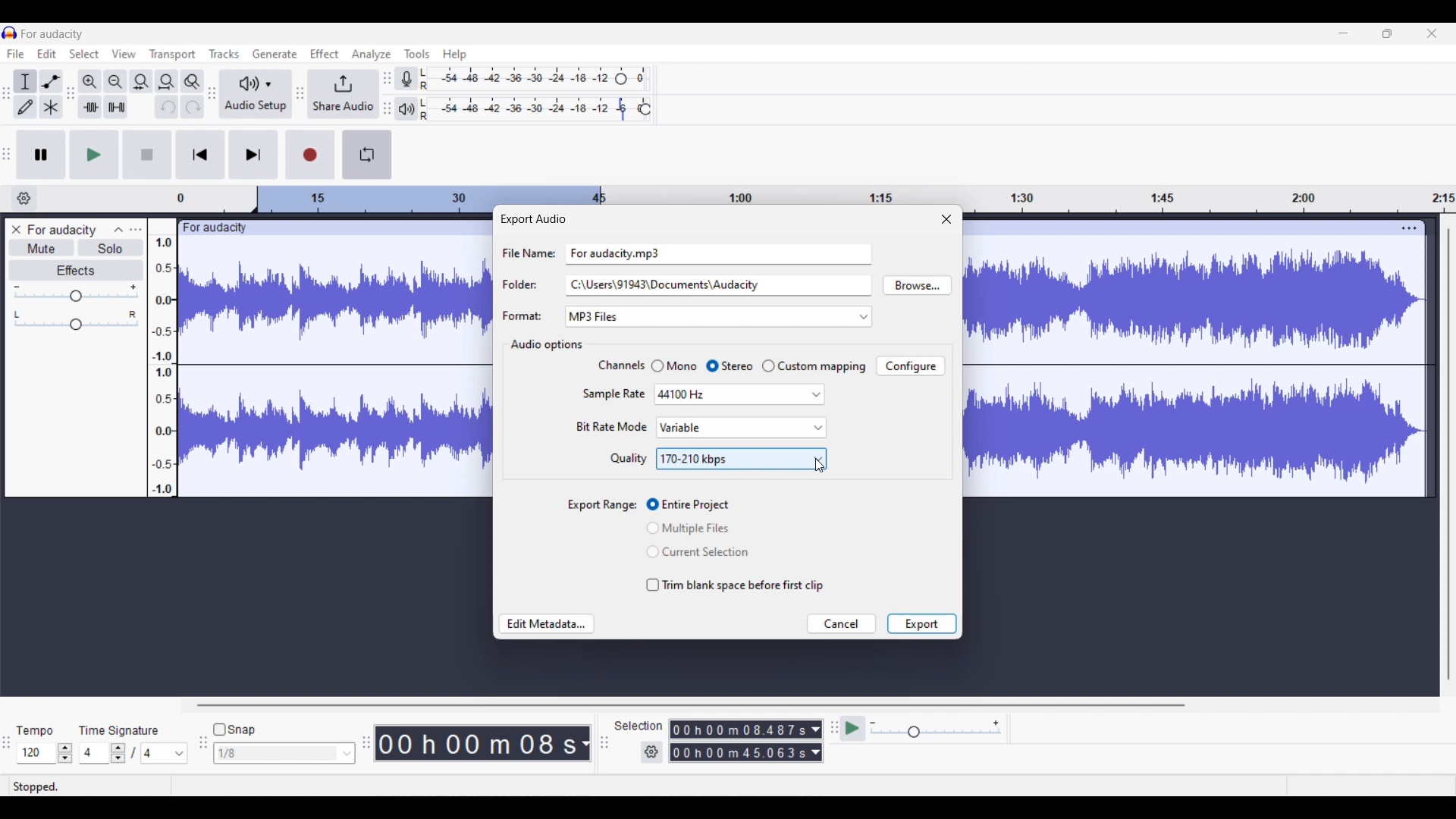 The height and width of the screenshot is (819, 1456). Describe the element at coordinates (1409, 227) in the screenshot. I see `Track settings` at that location.